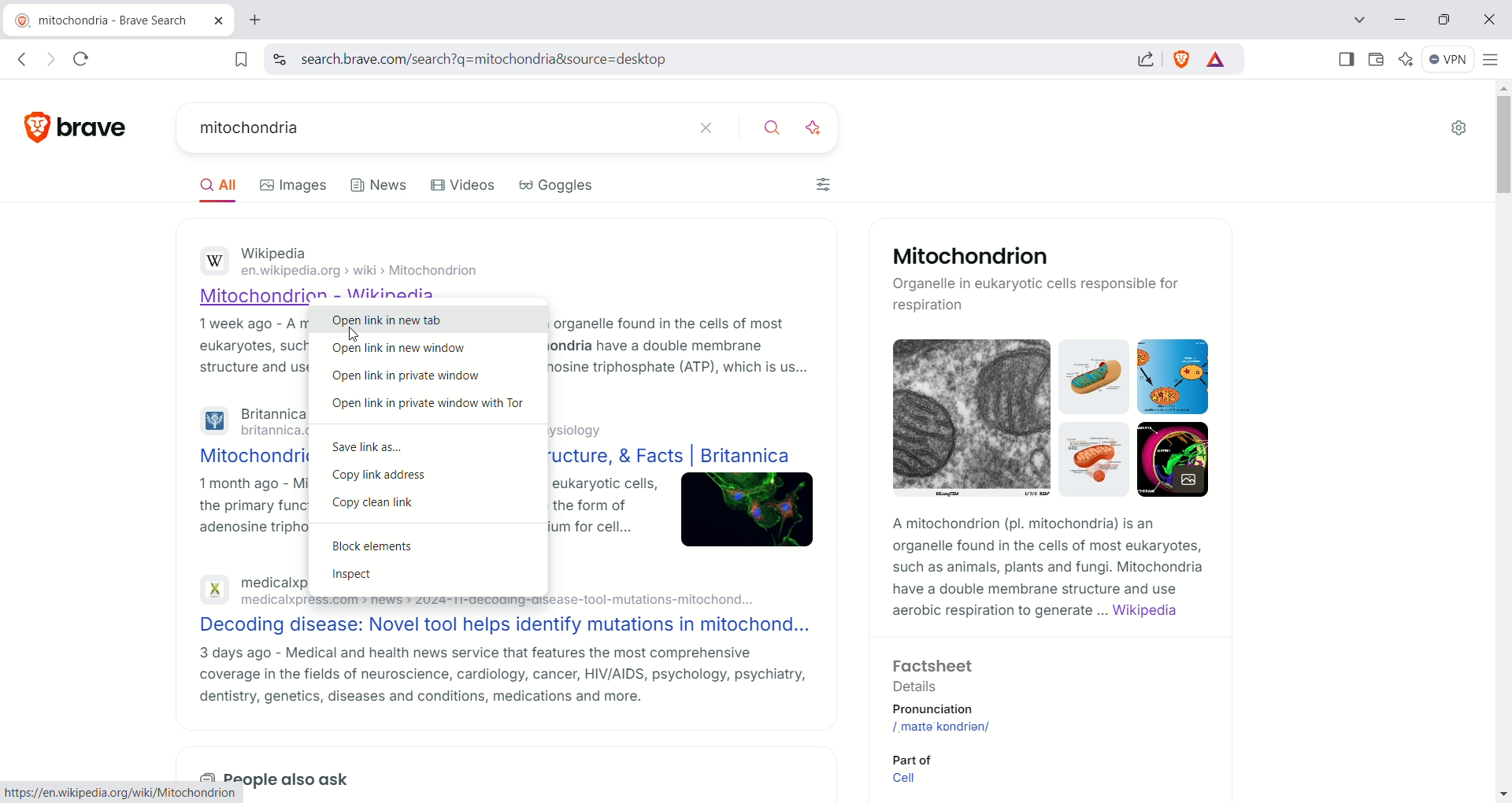 The width and height of the screenshot is (1512, 803). I want to click on vertical scroll bar, so click(1499, 442).